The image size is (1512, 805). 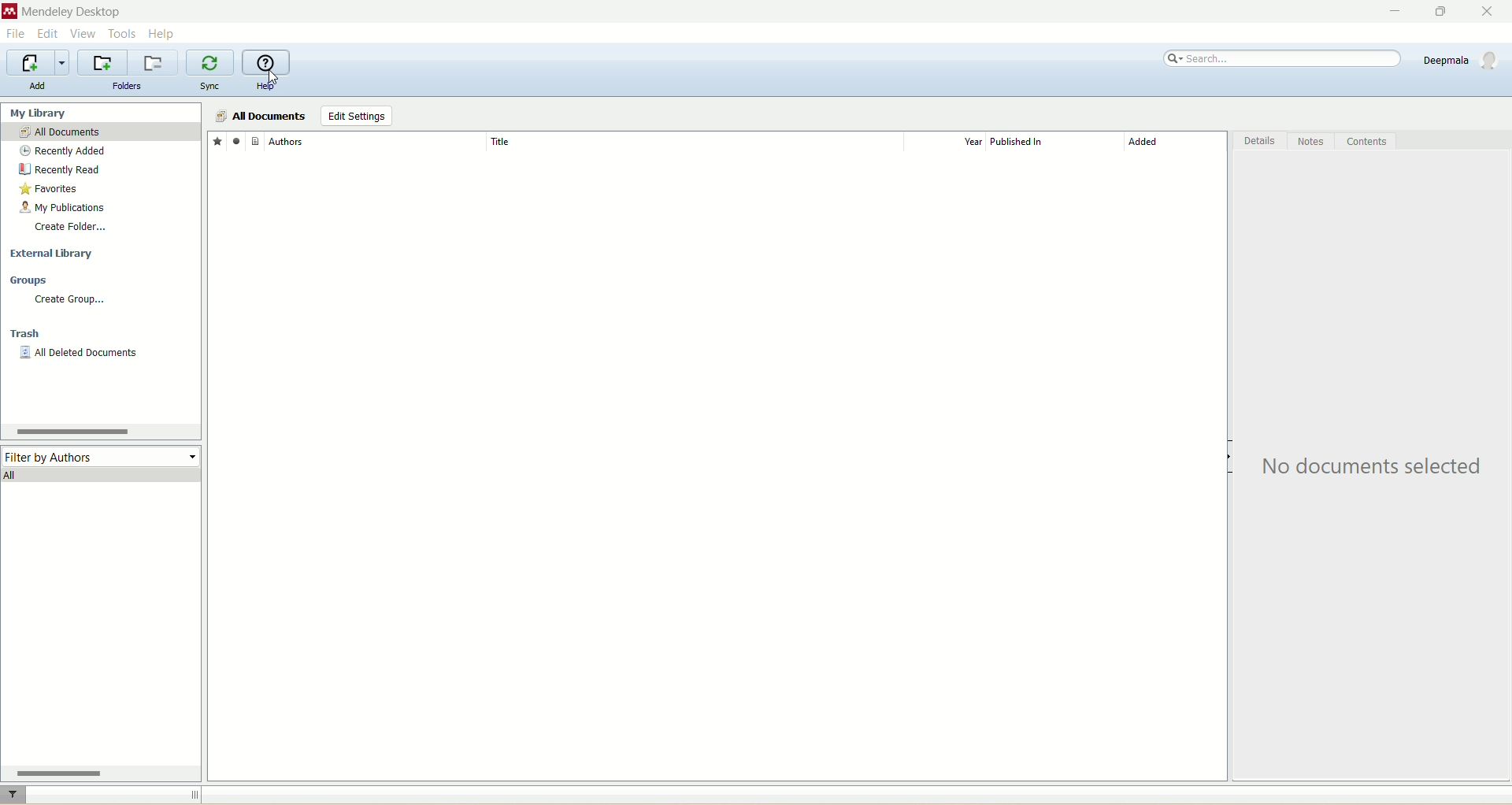 What do you see at coordinates (216, 140) in the screenshot?
I see `favorites` at bounding box center [216, 140].